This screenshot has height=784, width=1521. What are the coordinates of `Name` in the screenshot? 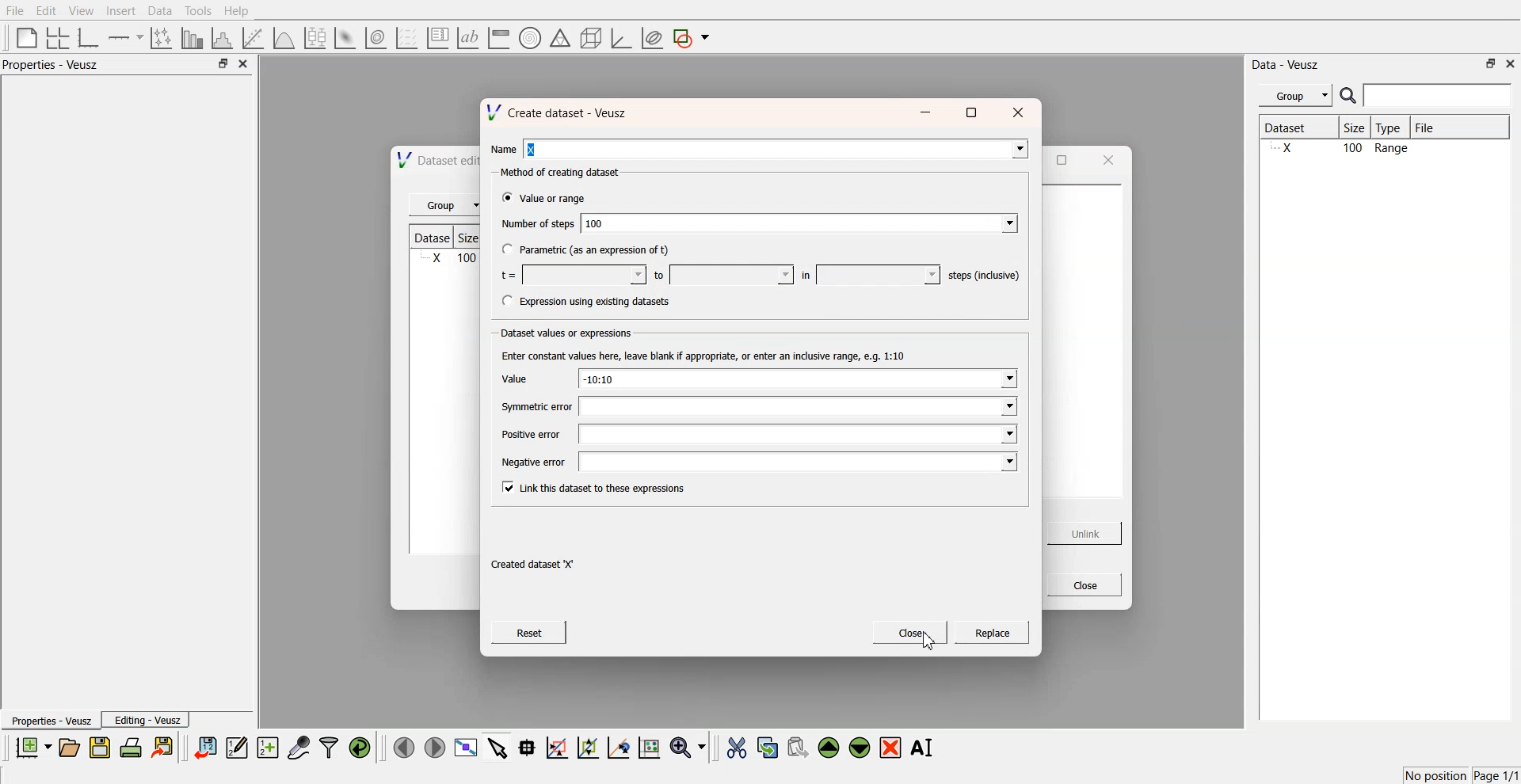 It's located at (504, 149).